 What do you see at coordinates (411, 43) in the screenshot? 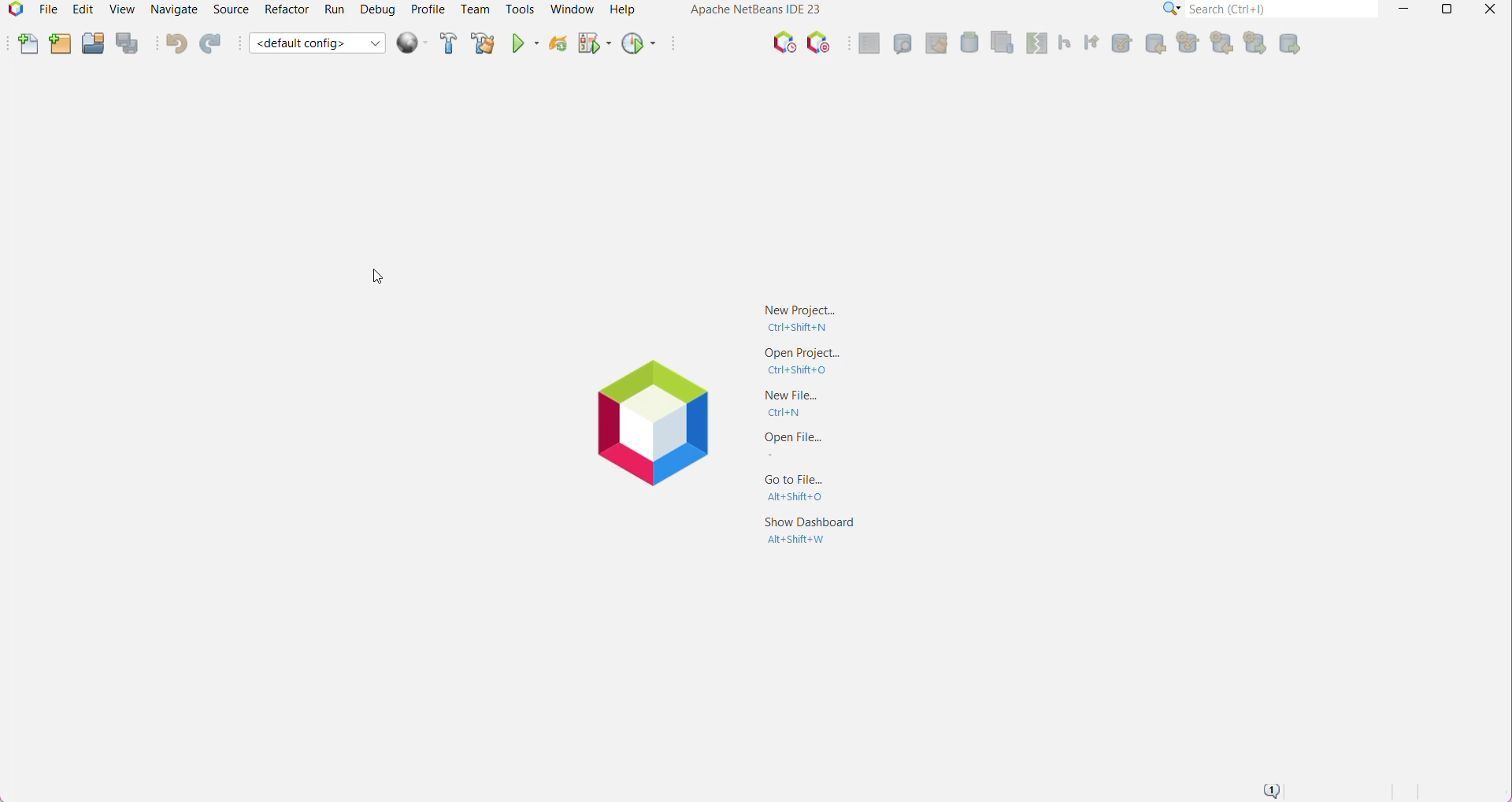
I see `Run All Projects` at bounding box center [411, 43].